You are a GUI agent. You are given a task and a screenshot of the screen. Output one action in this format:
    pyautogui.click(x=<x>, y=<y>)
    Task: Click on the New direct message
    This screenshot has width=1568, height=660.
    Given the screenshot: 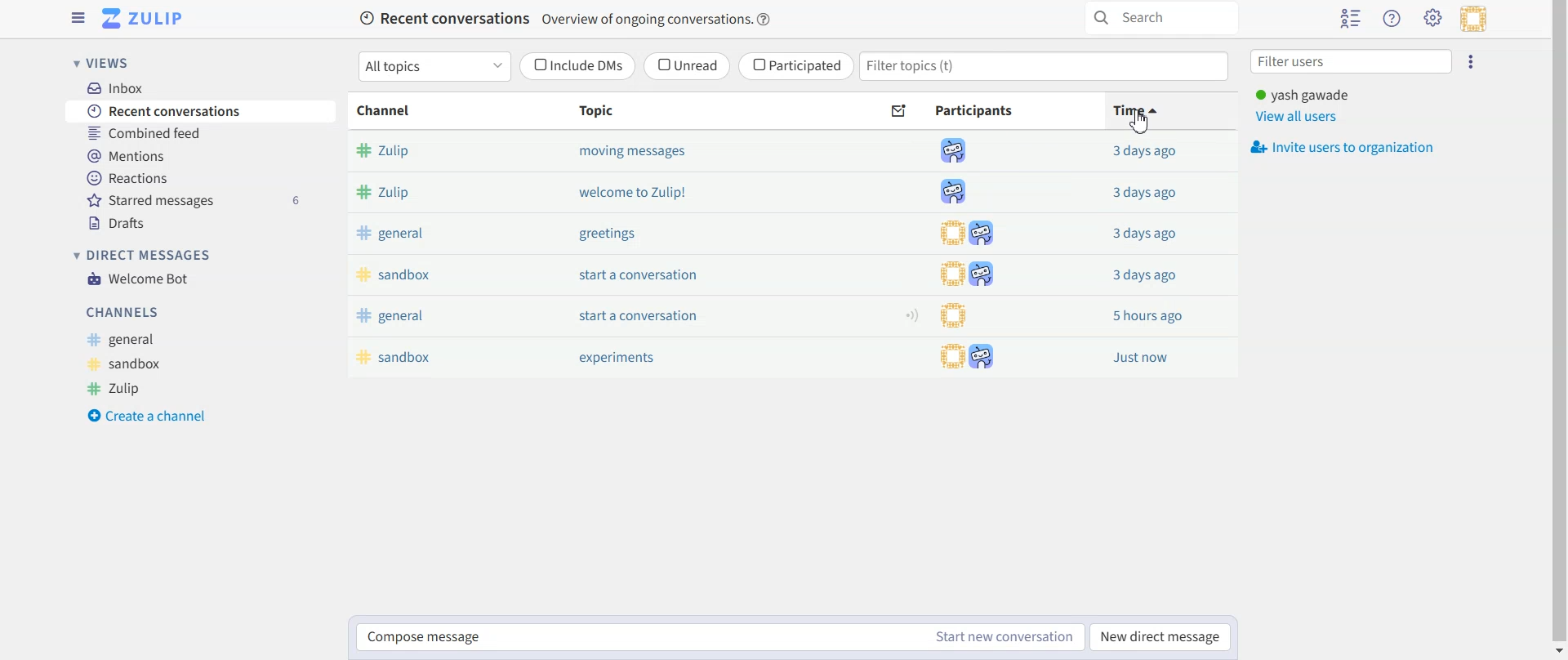 What is the action you would take?
    pyautogui.click(x=1162, y=637)
    